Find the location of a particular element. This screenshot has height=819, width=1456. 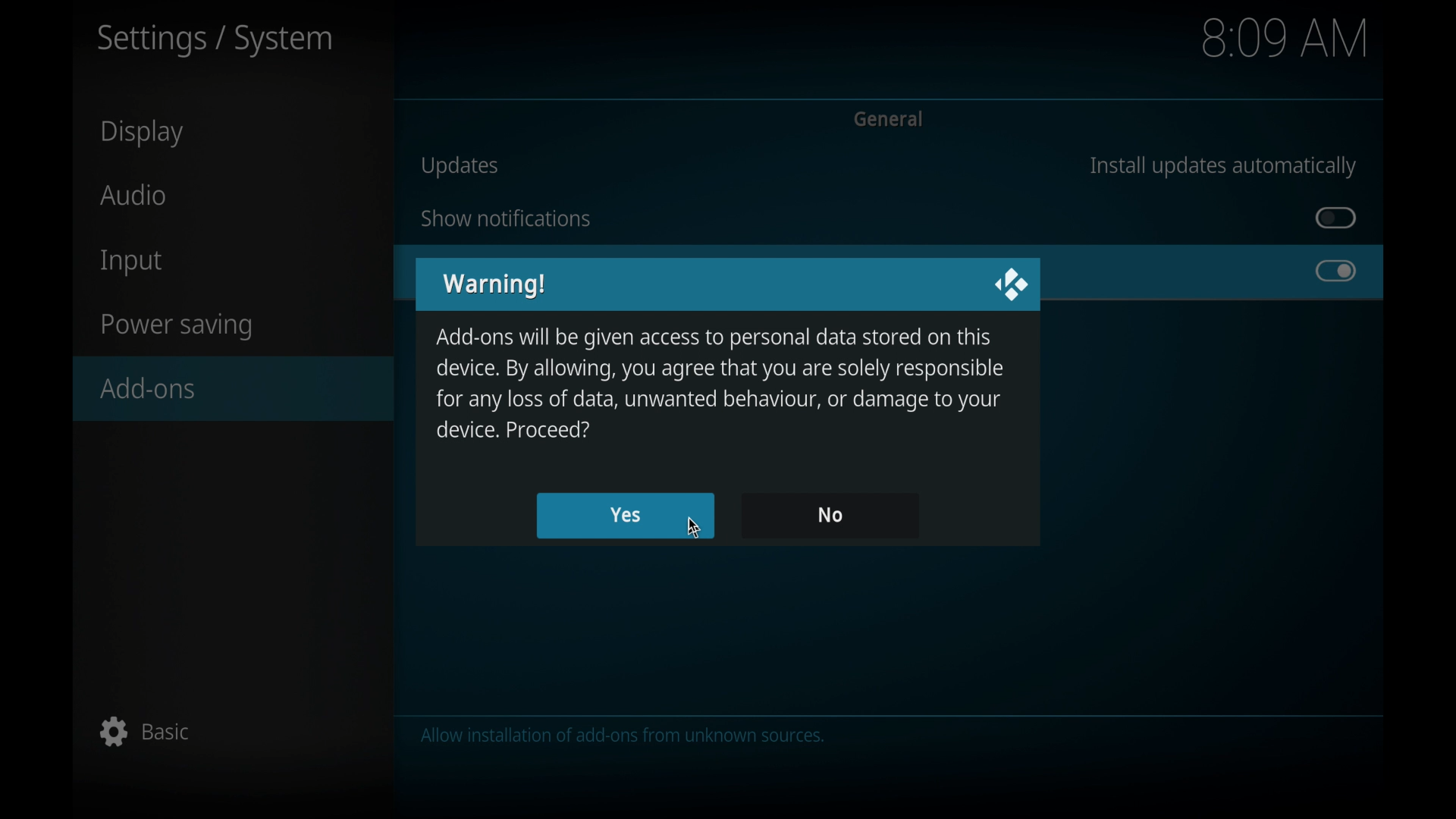

basic is located at coordinates (146, 731).